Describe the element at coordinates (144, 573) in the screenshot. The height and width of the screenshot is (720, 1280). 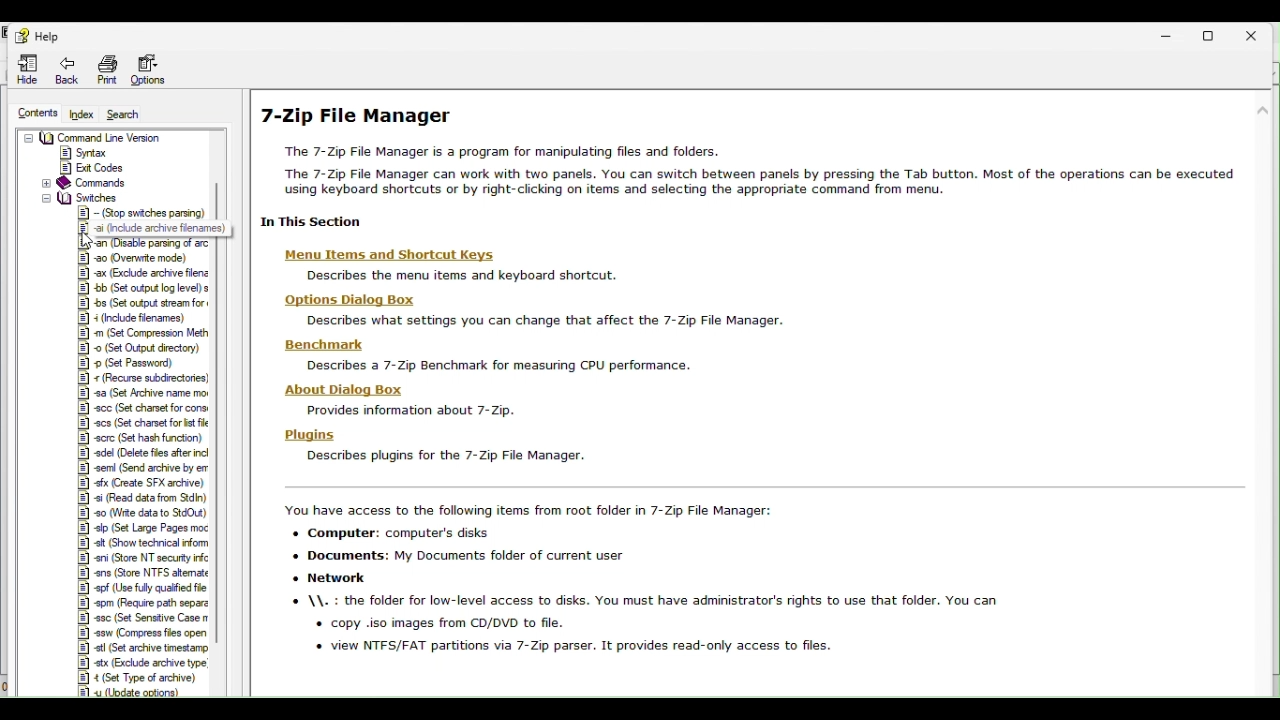
I see `§] ens (Store NTFS altemate` at that location.